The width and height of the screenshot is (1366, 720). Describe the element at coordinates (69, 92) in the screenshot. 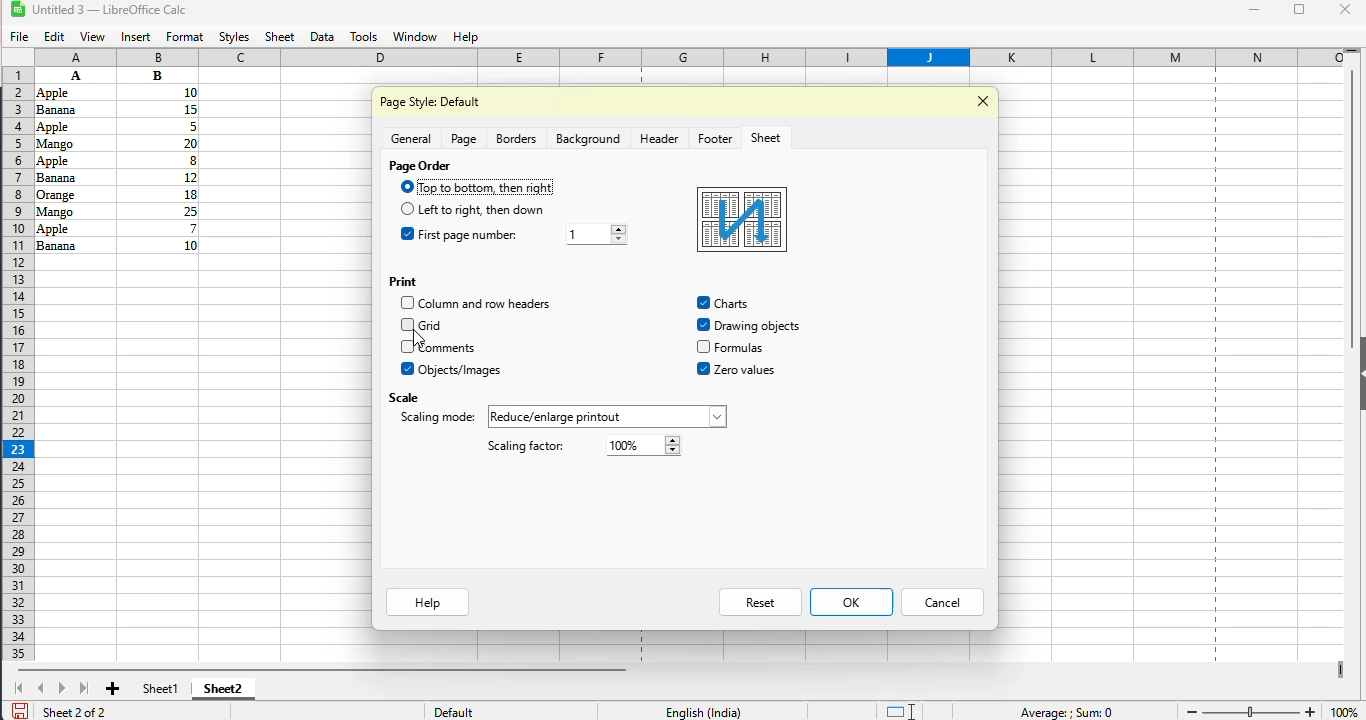

I see `` at that location.